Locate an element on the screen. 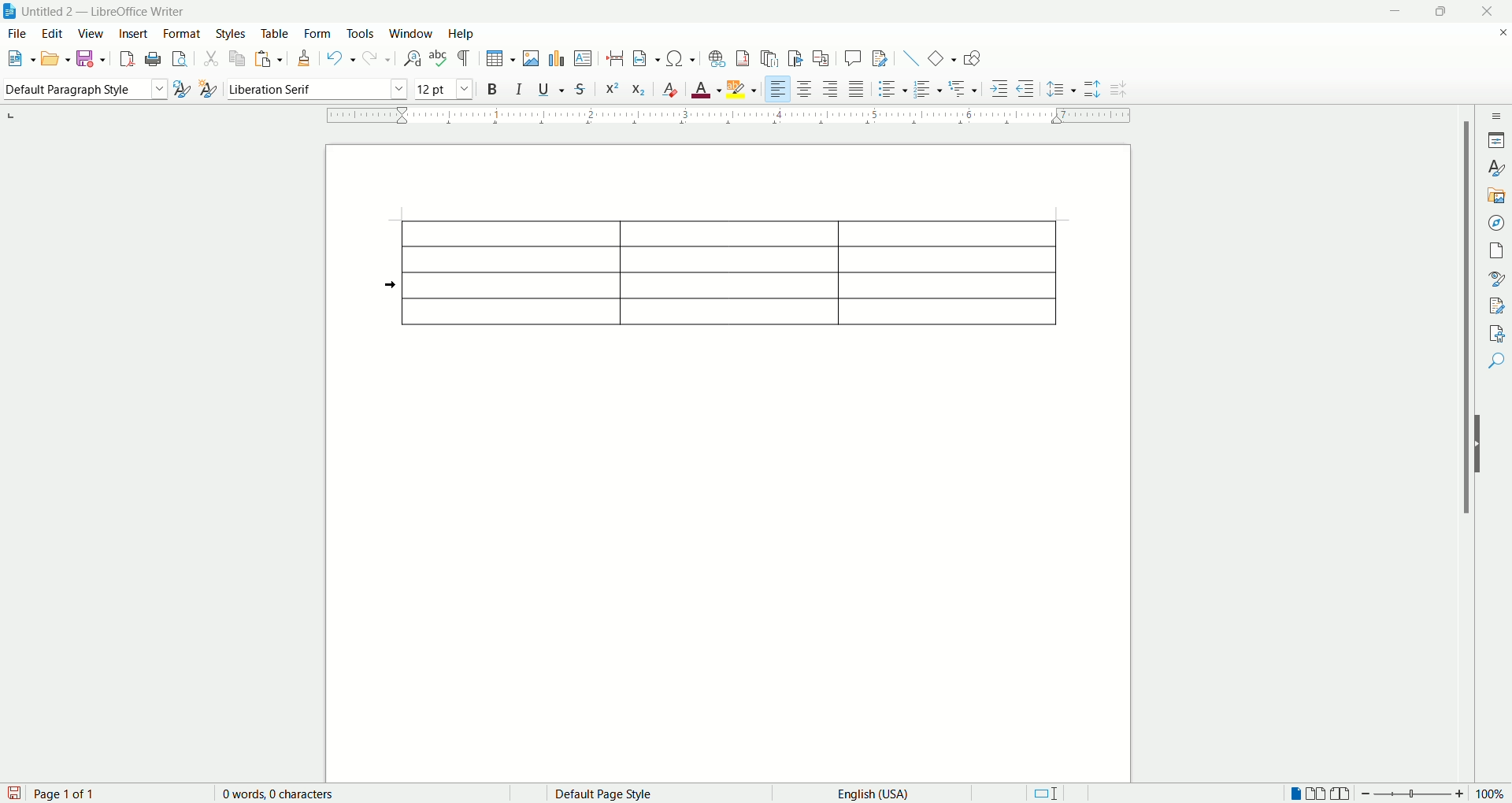  styles is located at coordinates (232, 35).